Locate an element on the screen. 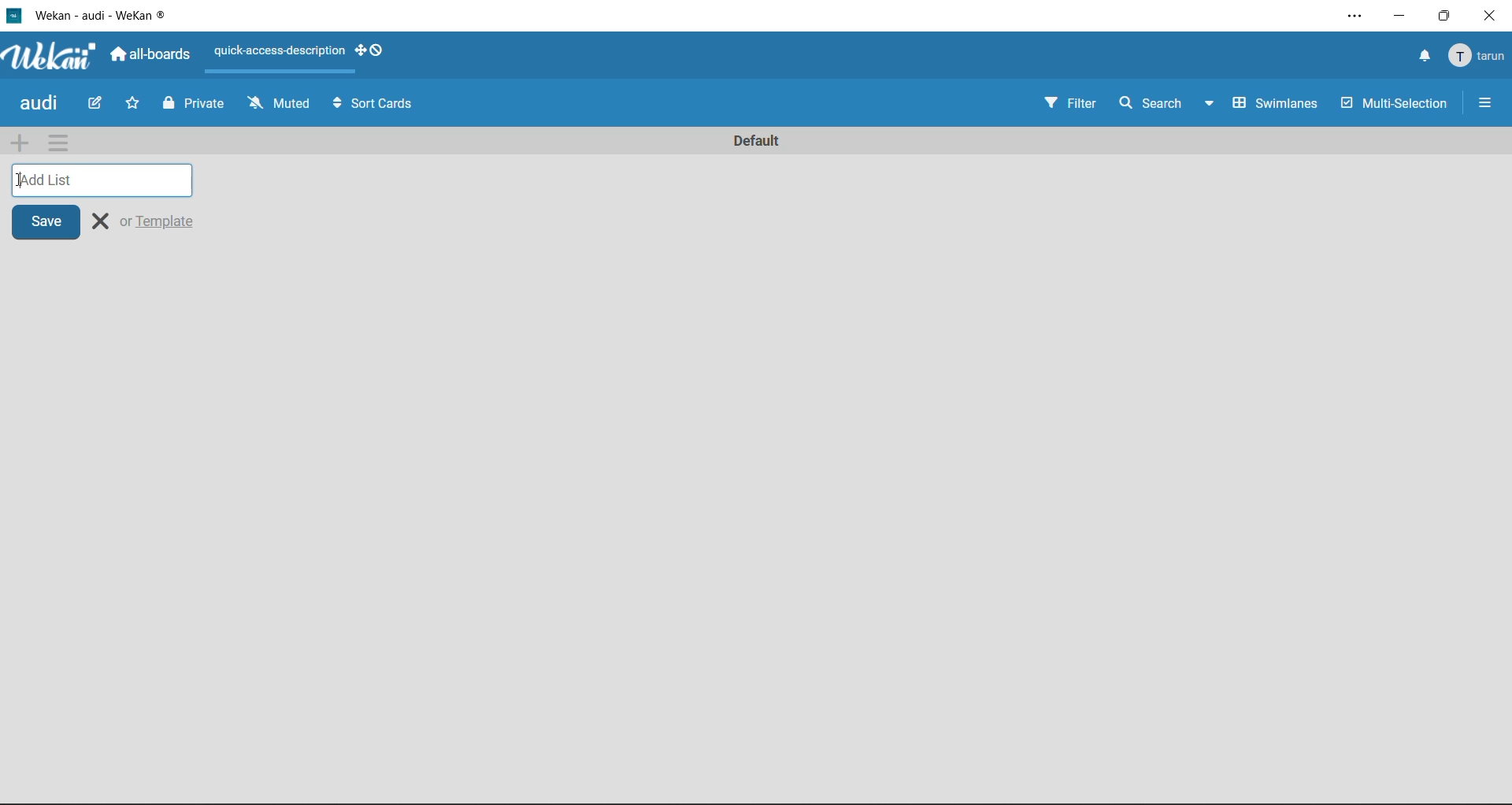  maximize is located at coordinates (1450, 15).